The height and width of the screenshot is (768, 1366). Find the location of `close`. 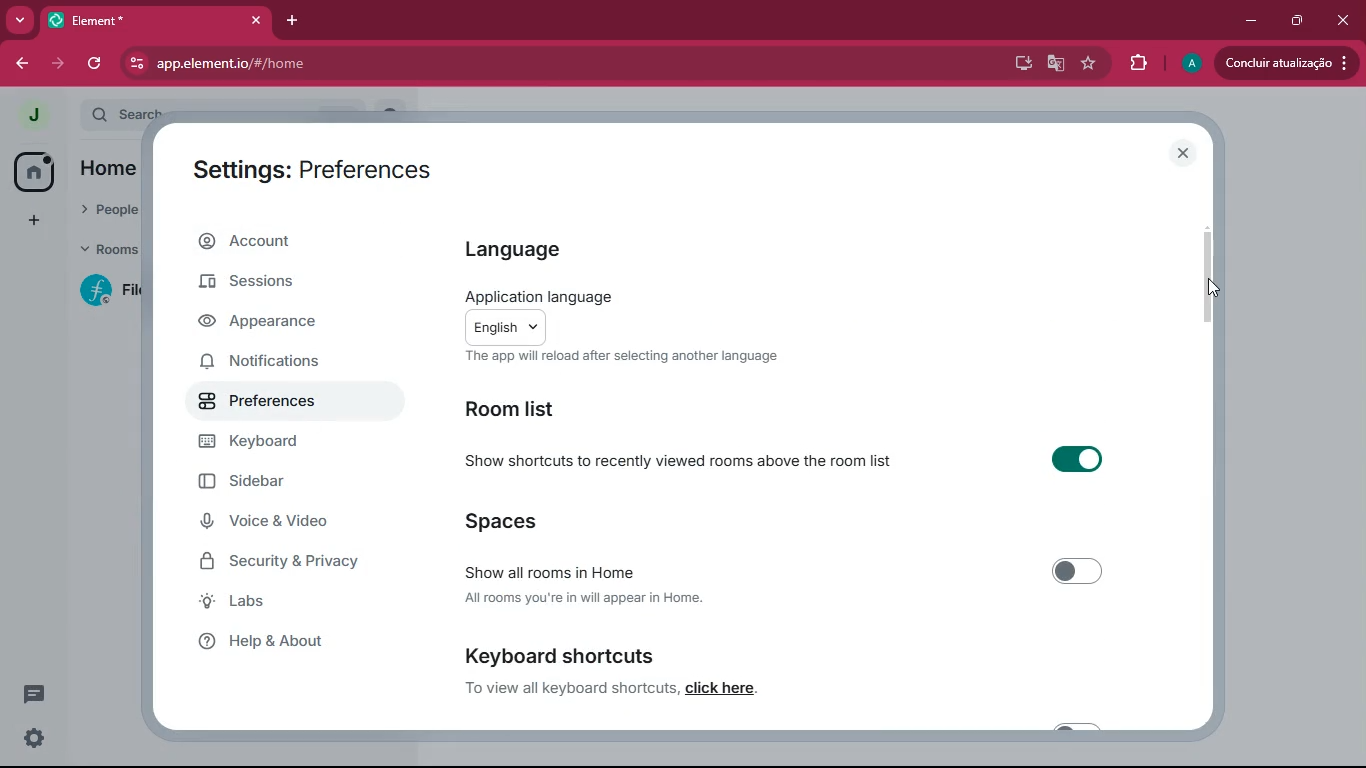

close is located at coordinates (254, 20).